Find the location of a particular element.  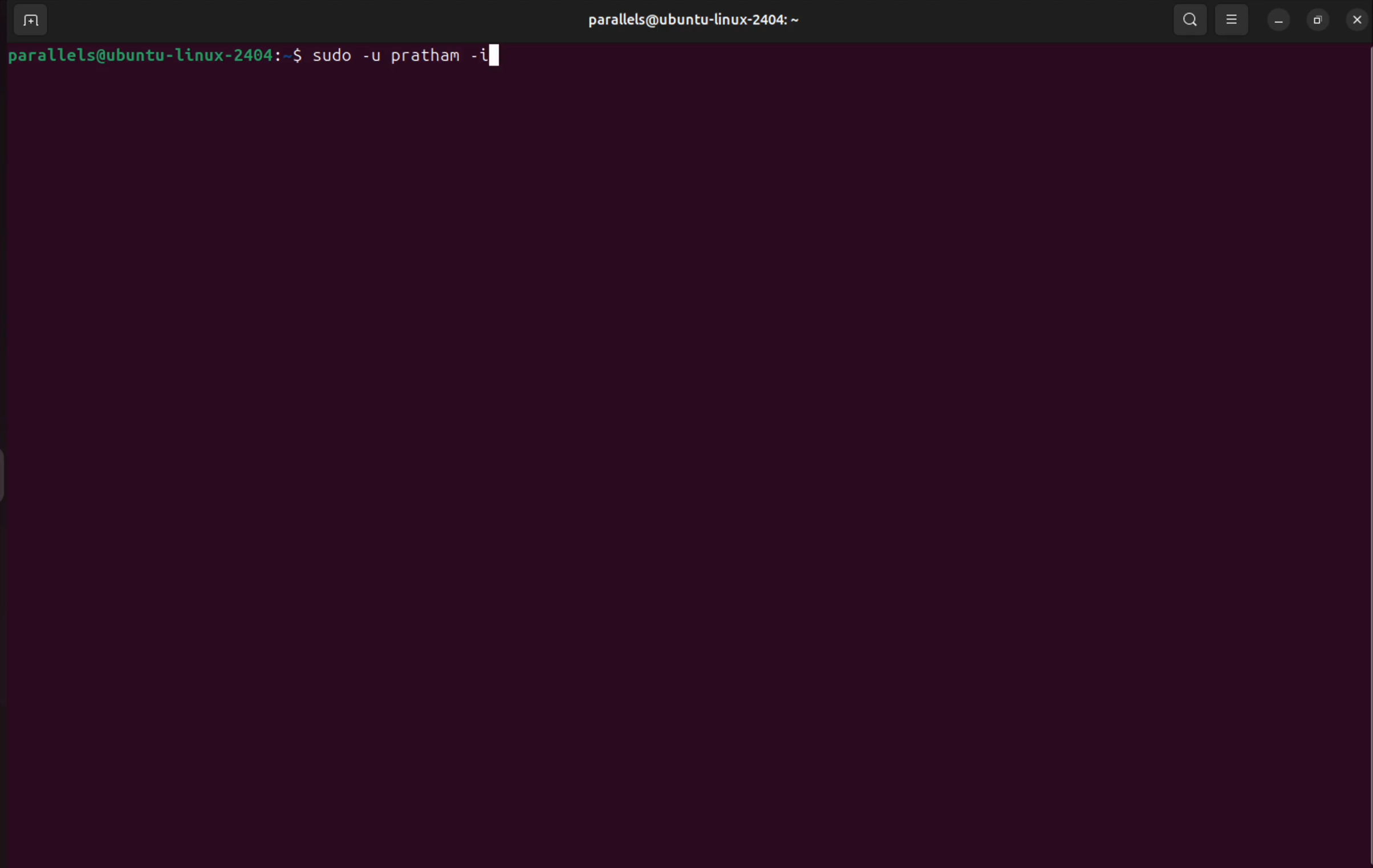

search is located at coordinates (1189, 21).